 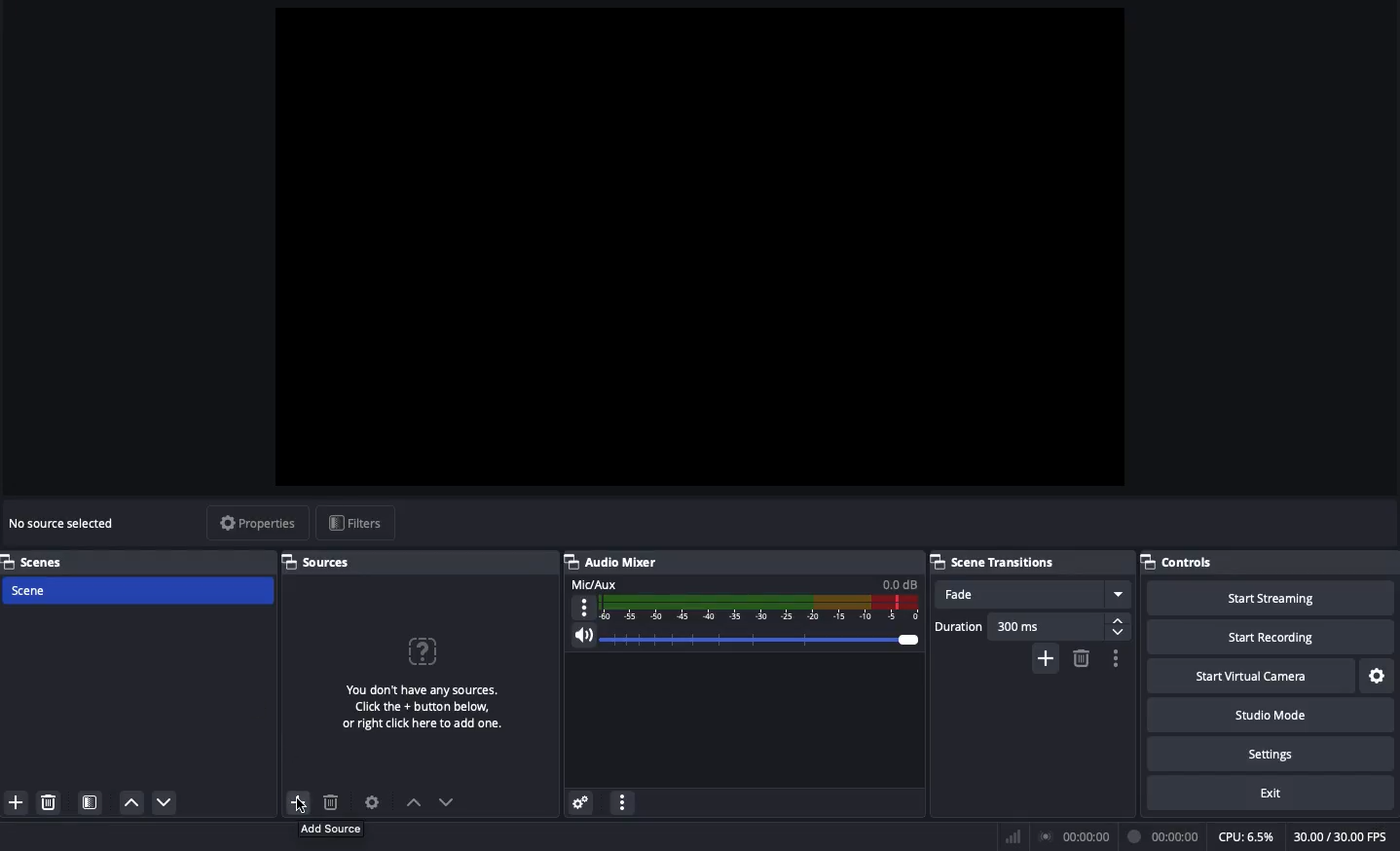 I want to click on Start virtual camera, so click(x=1254, y=674).